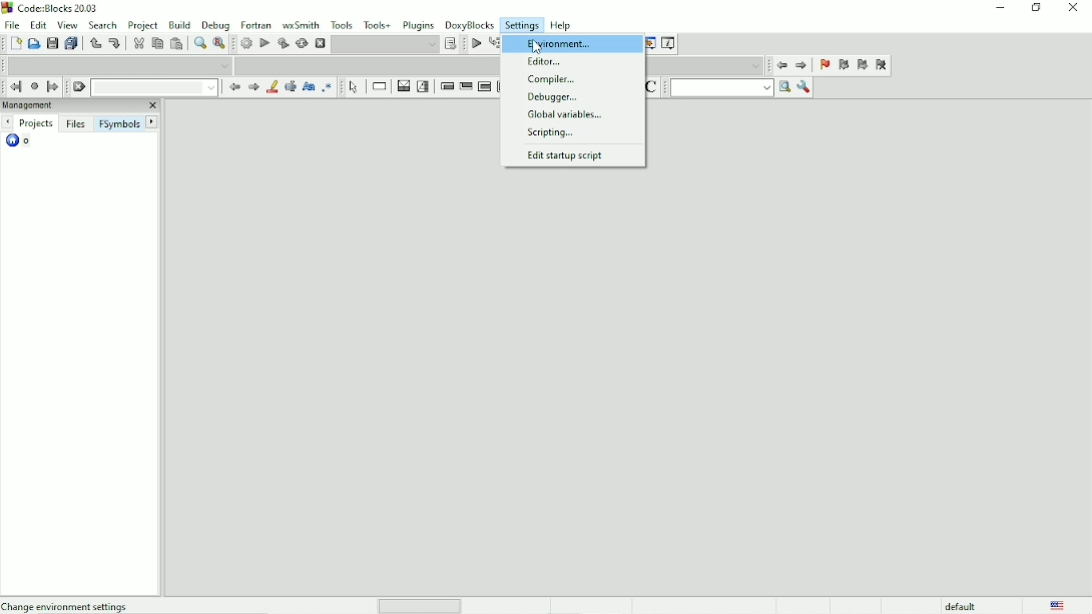  Describe the element at coordinates (419, 26) in the screenshot. I see `Plugins` at that location.